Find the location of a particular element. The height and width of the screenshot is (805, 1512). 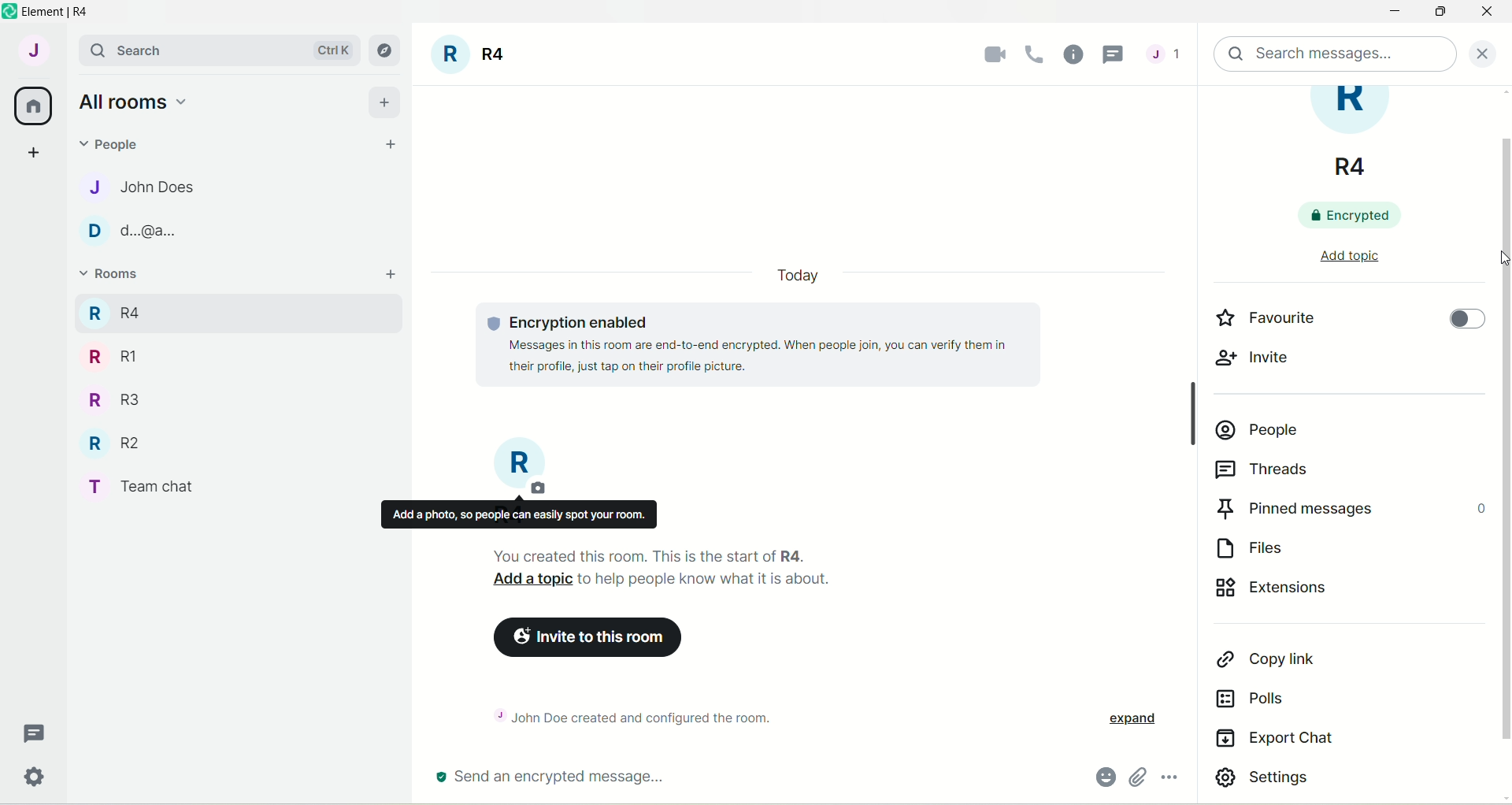

invite to this room is located at coordinates (593, 639).